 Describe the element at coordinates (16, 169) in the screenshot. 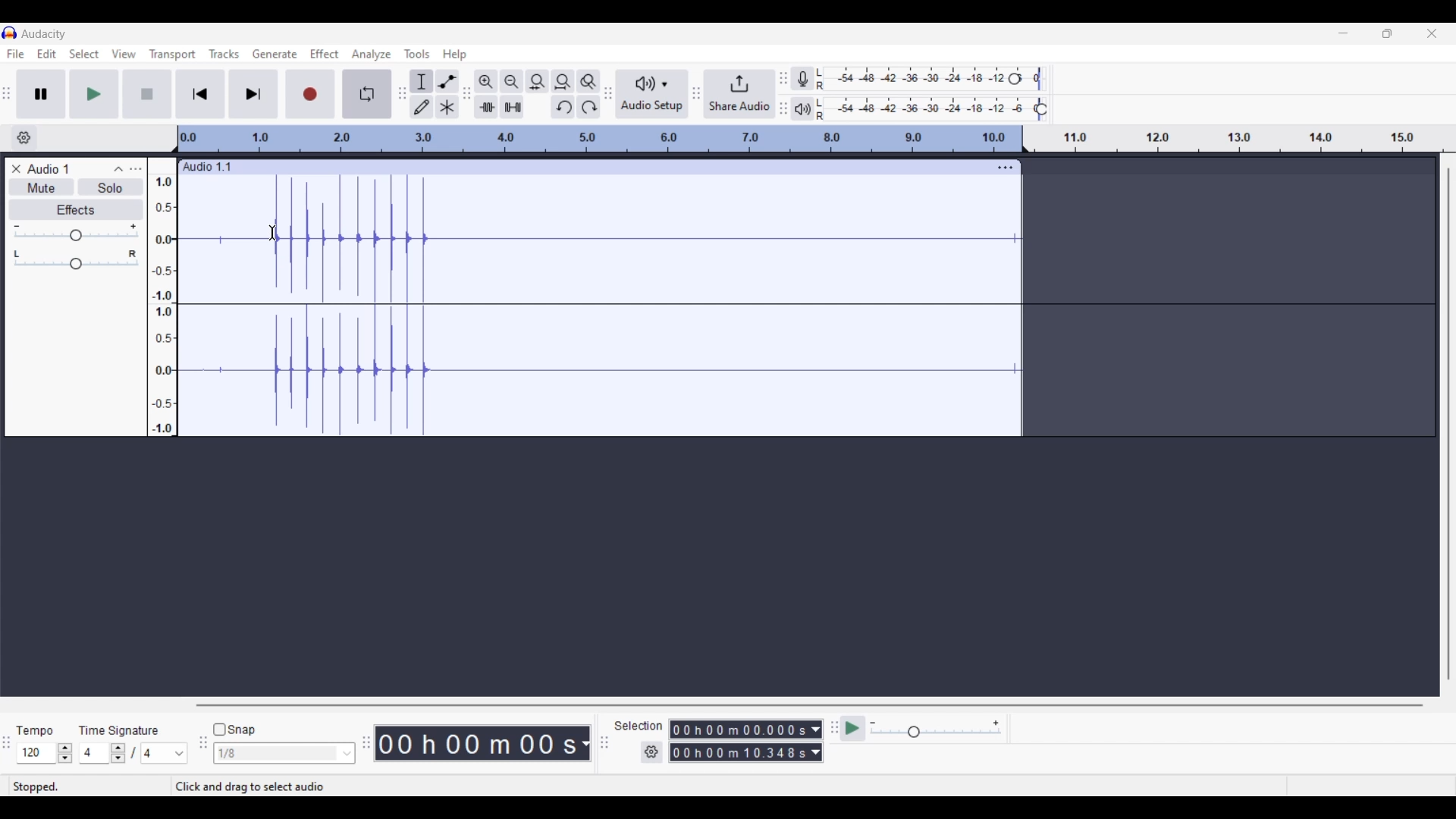

I see `Close` at that location.